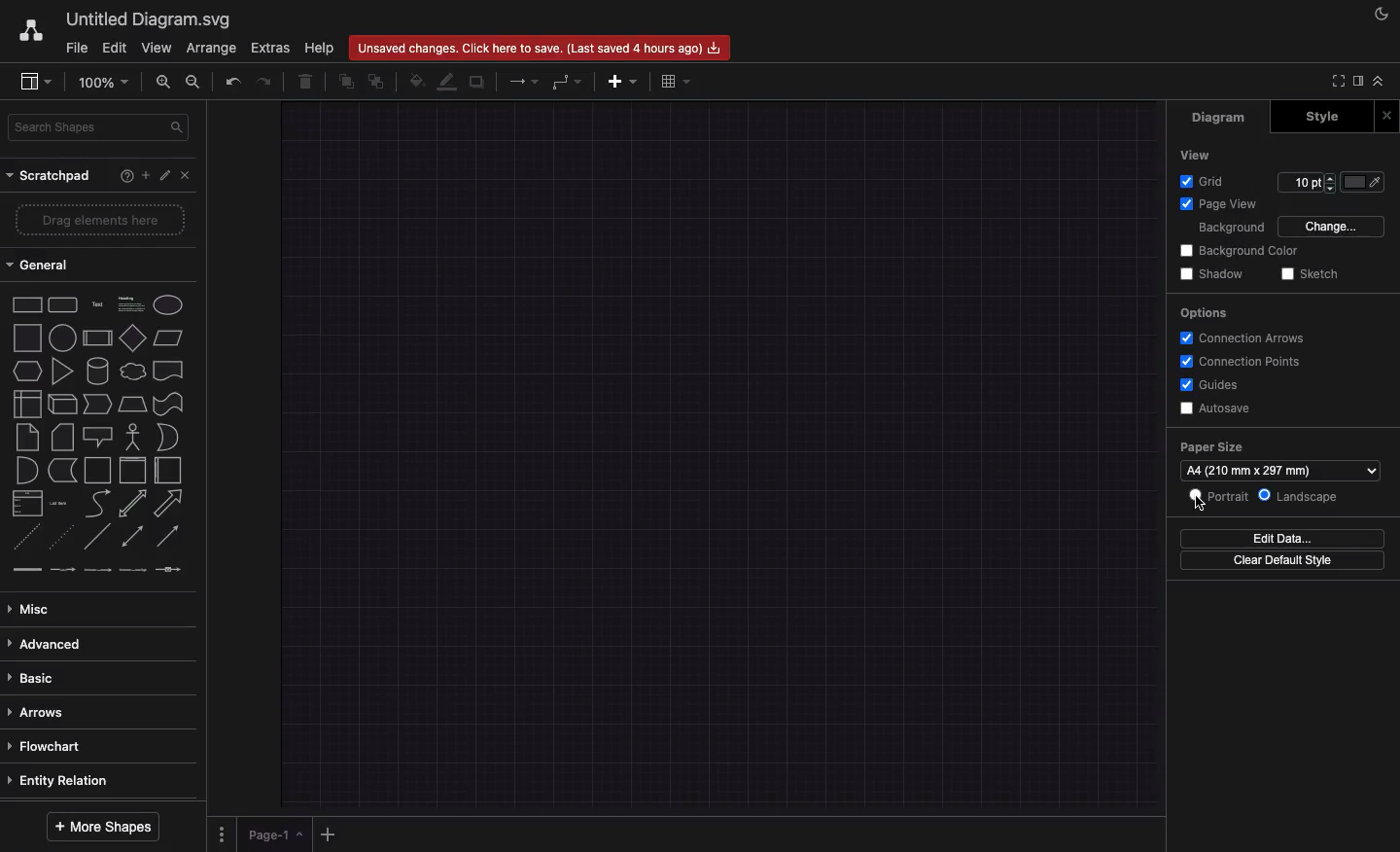 Image resolution: width=1400 pixels, height=852 pixels. I want to click on Sketch, so click(1316, 277).